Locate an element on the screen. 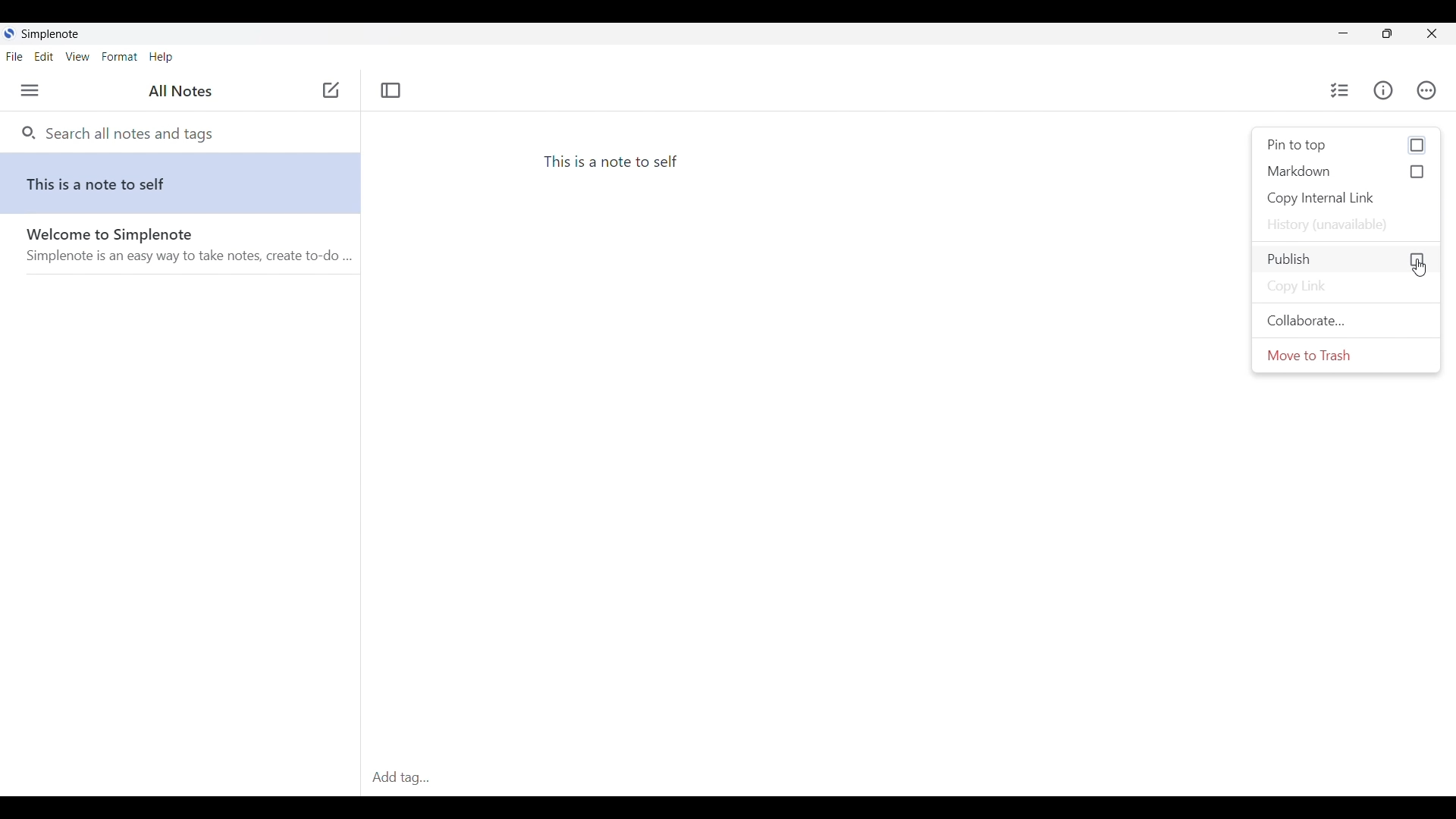 Image resolution: width=1456 pixels, height=819 pixels. This is a note to self is located at coordinates (613, 162).